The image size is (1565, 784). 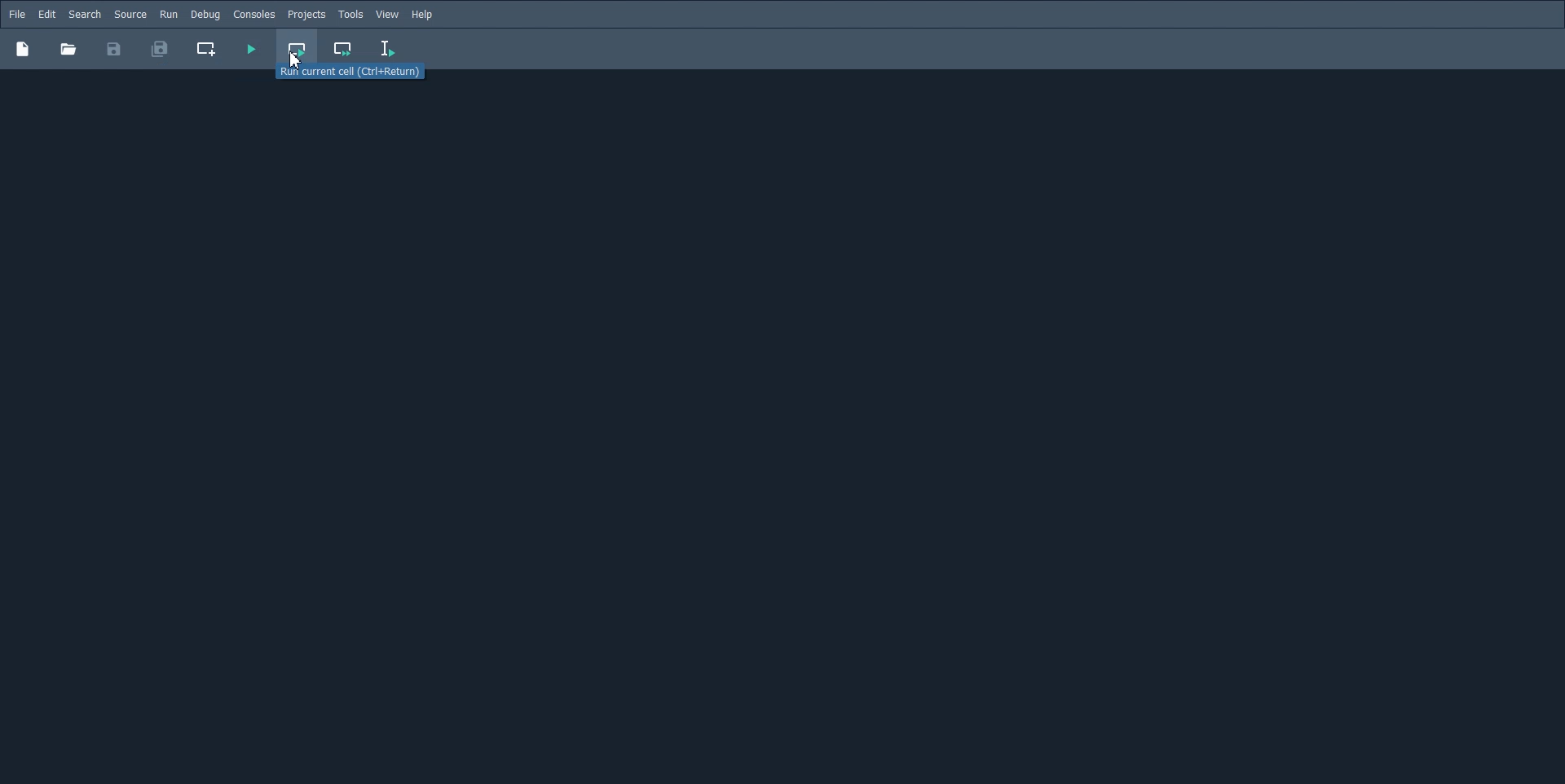 I want to click on Tools, so click(x=350, y=15).